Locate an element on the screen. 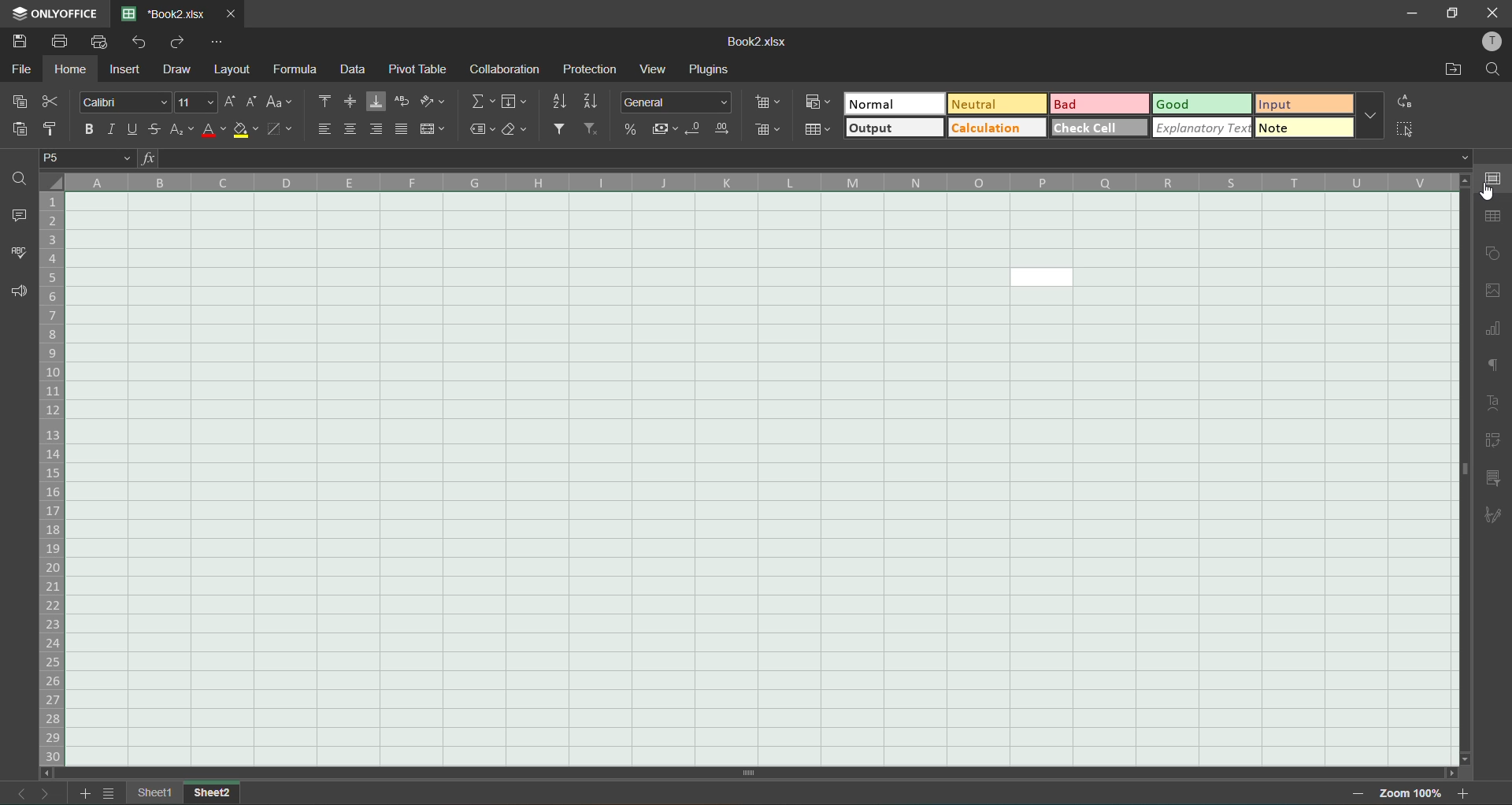 This screenshot has height=805, width=1512. maximize is located at coordinates (1454, 12).